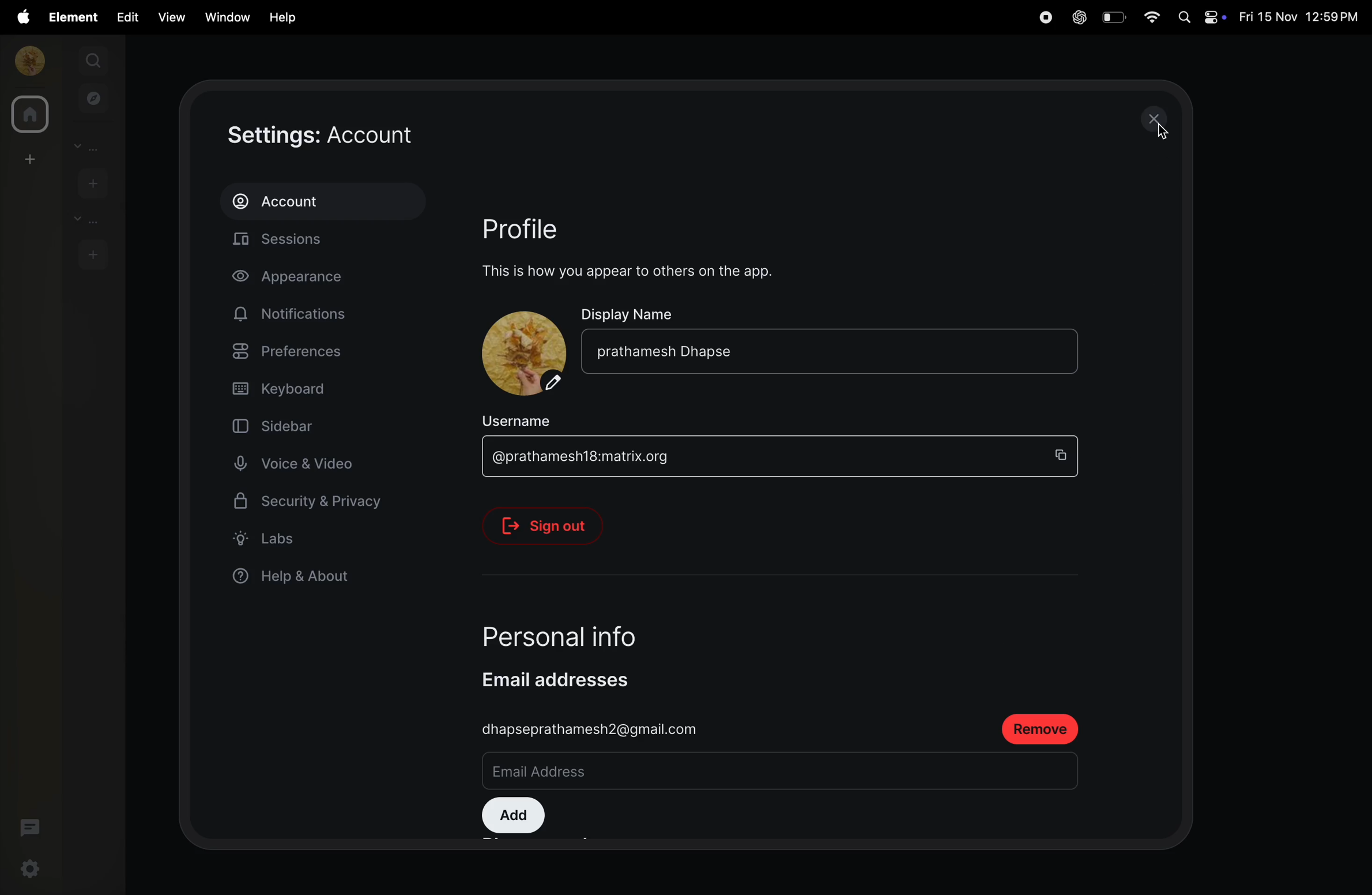 The height and width of the screenshot is (895, 1372). What do you see at coordinates (25, 60) in the screenshot?
I see `profile` at bounding box center [25, 60].